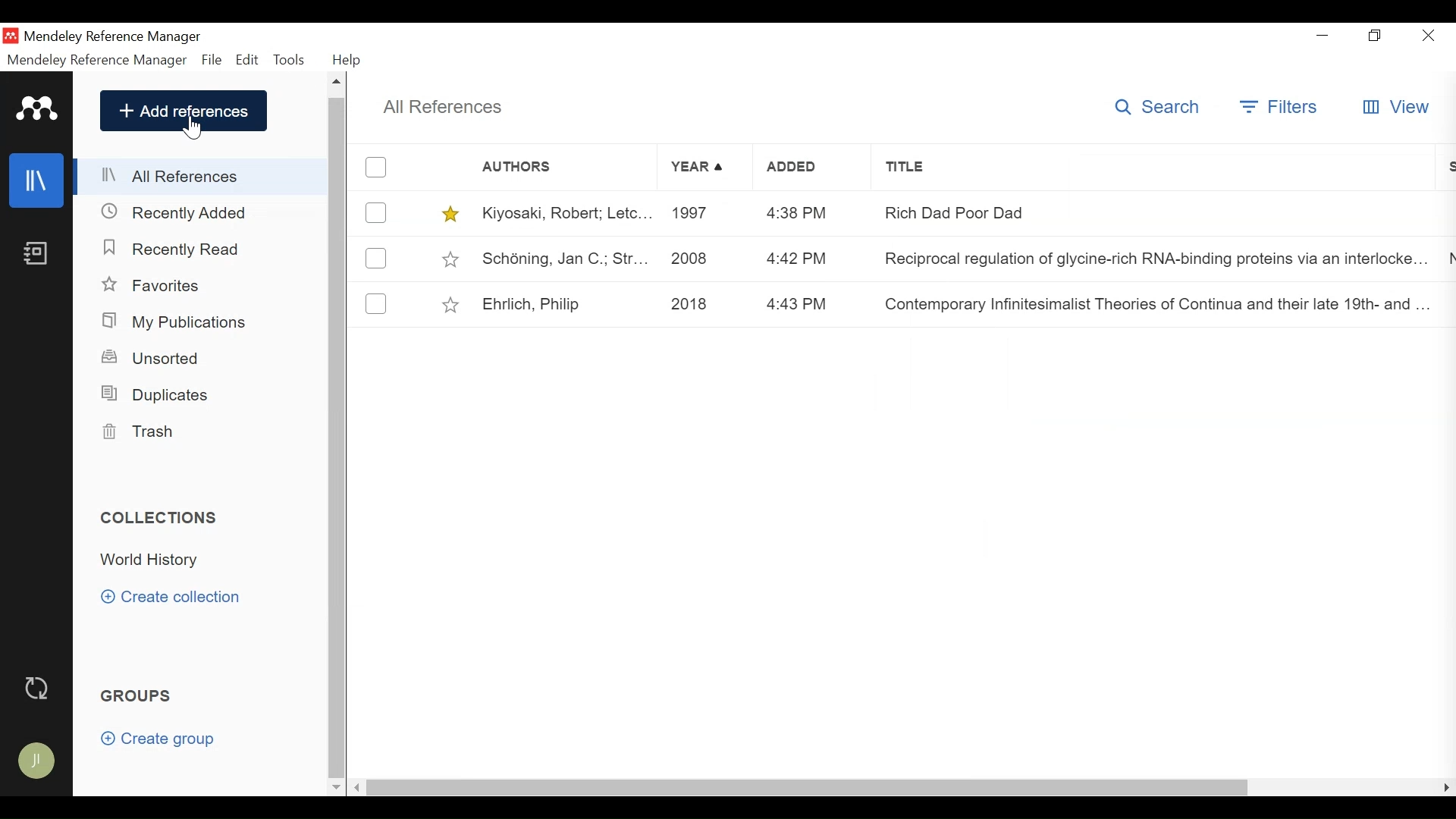 The image size is (1456, 819). I want to click on Unsorted, so click(162, 359).